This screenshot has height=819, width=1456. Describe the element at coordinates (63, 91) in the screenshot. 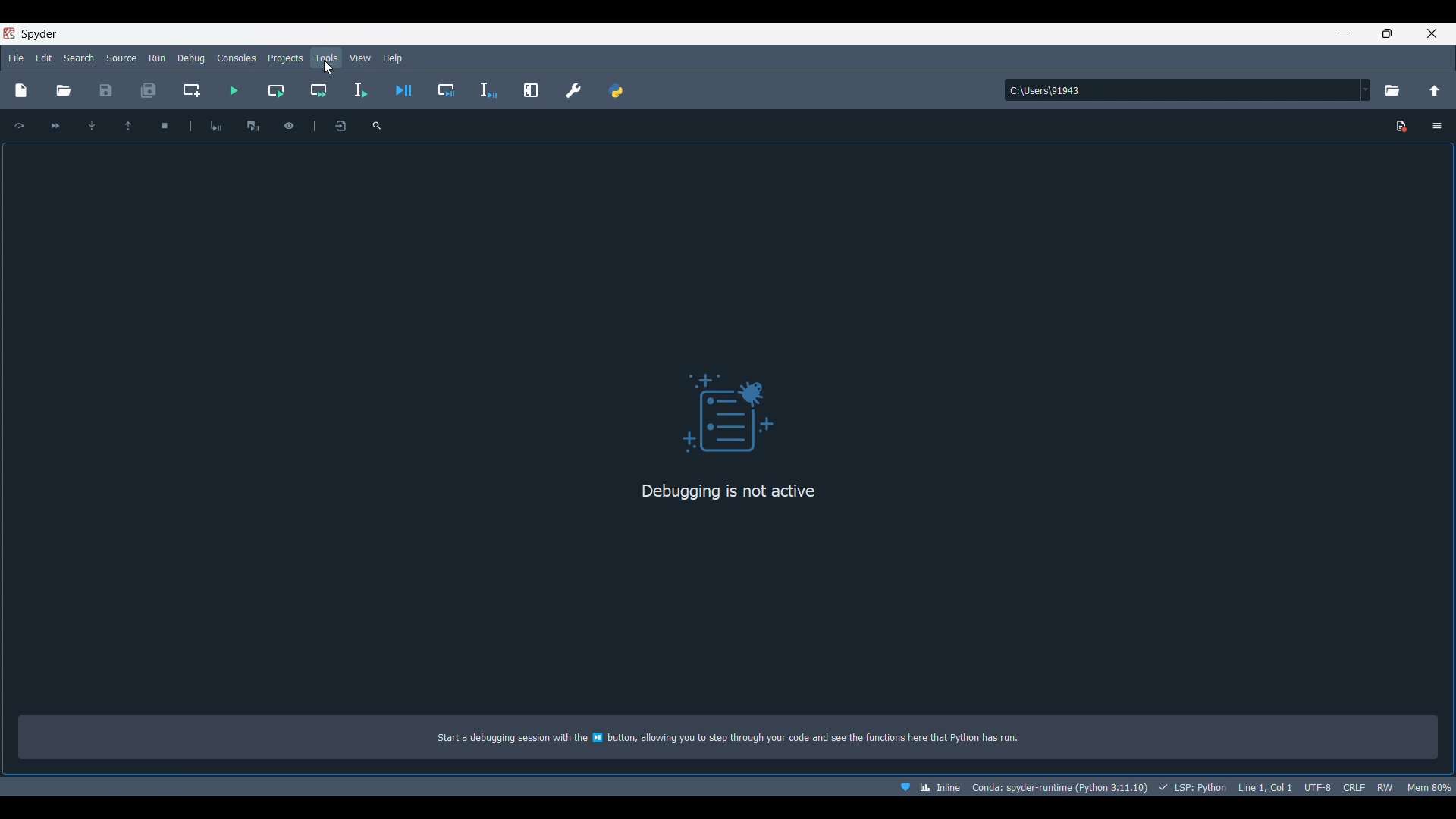

I see `Open` at that location.